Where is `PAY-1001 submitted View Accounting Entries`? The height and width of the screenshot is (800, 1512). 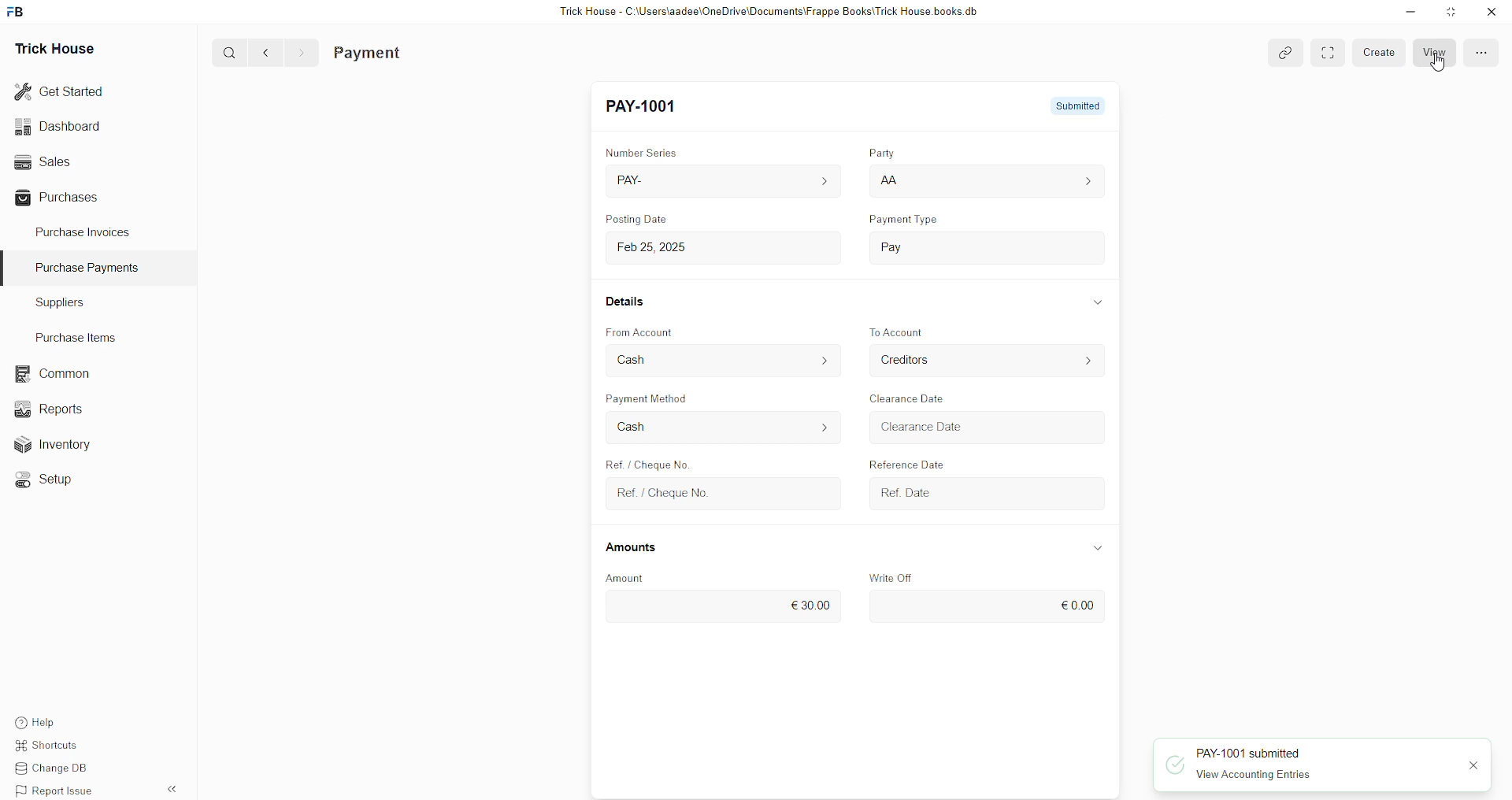 PAY-1001 submitted View Accounting Entries is located at coordinates (1274, 766).